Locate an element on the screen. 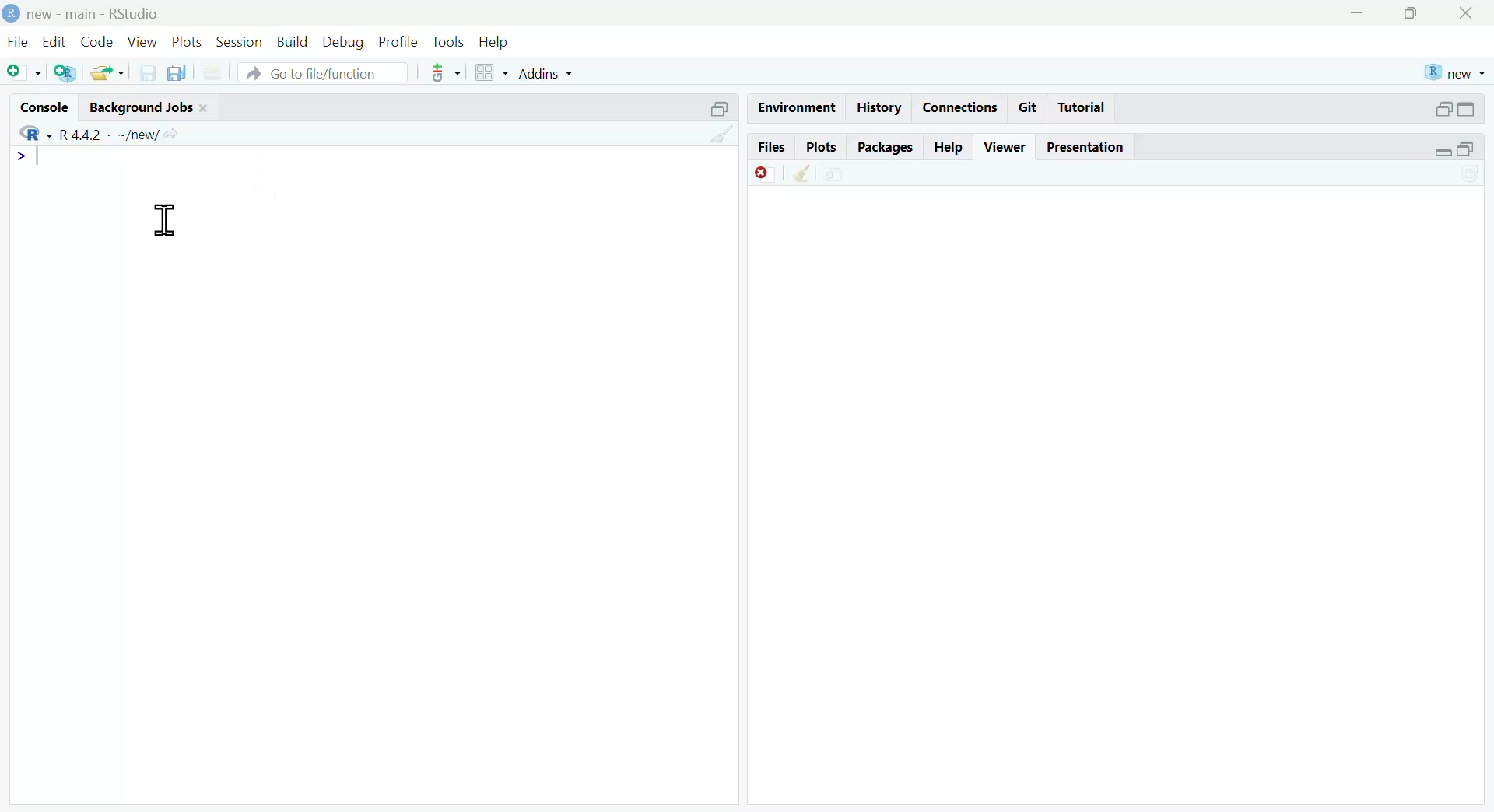 This screenshot has width=1494, height=812. minimize is located at coordinates (721, 105).